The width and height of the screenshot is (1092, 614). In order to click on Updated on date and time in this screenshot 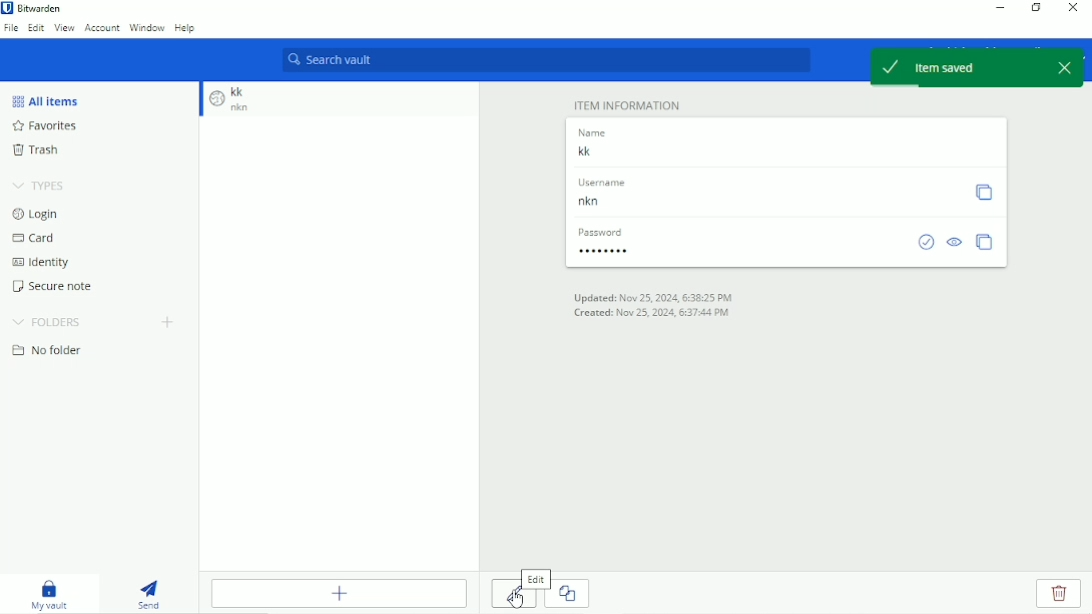, I will do `click(652, 296)`.